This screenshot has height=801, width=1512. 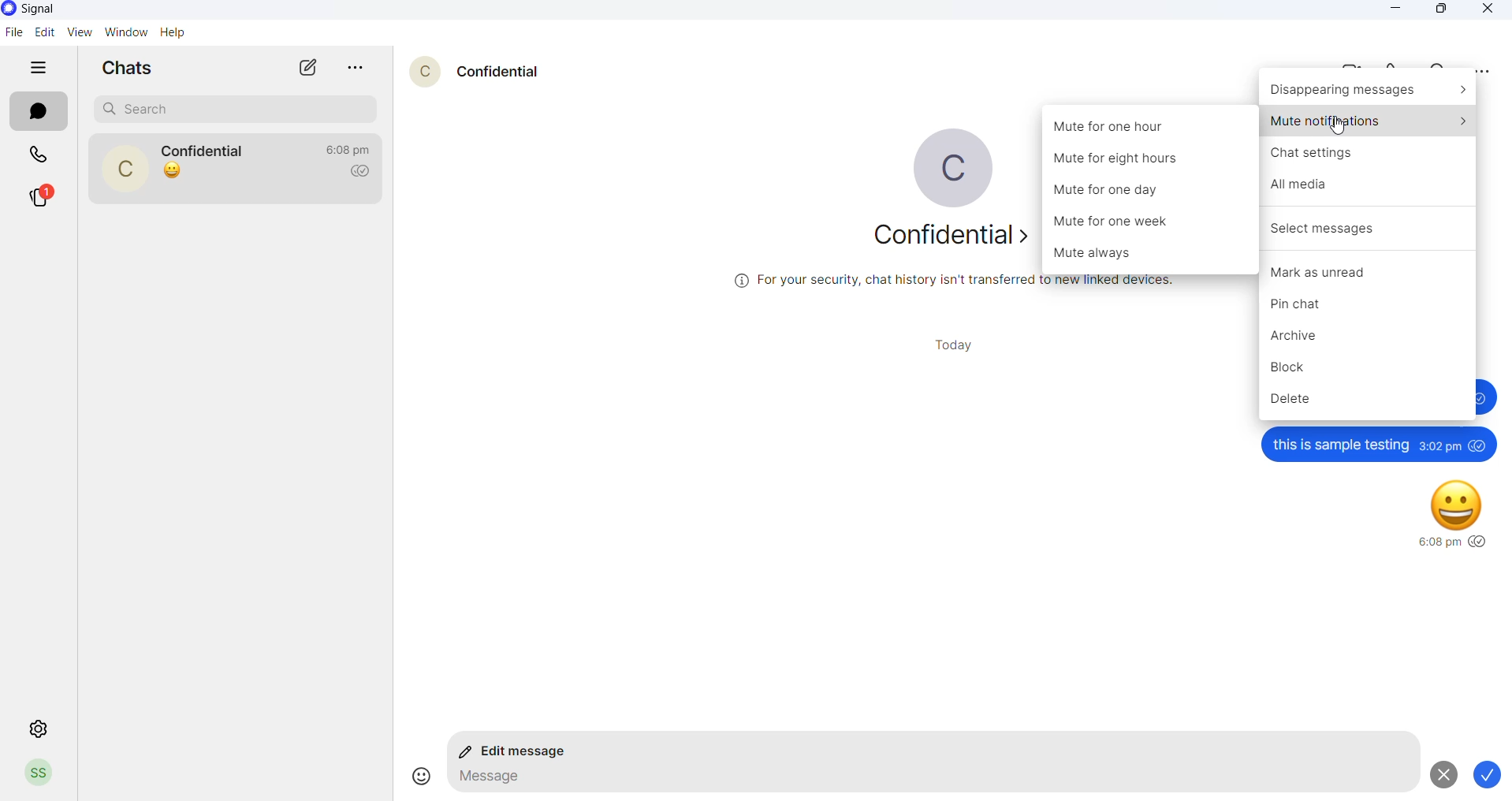 What do you see at coordinates (1370, 337) in the screenshot?
I see `archive` at bounding box center [1370, 337].